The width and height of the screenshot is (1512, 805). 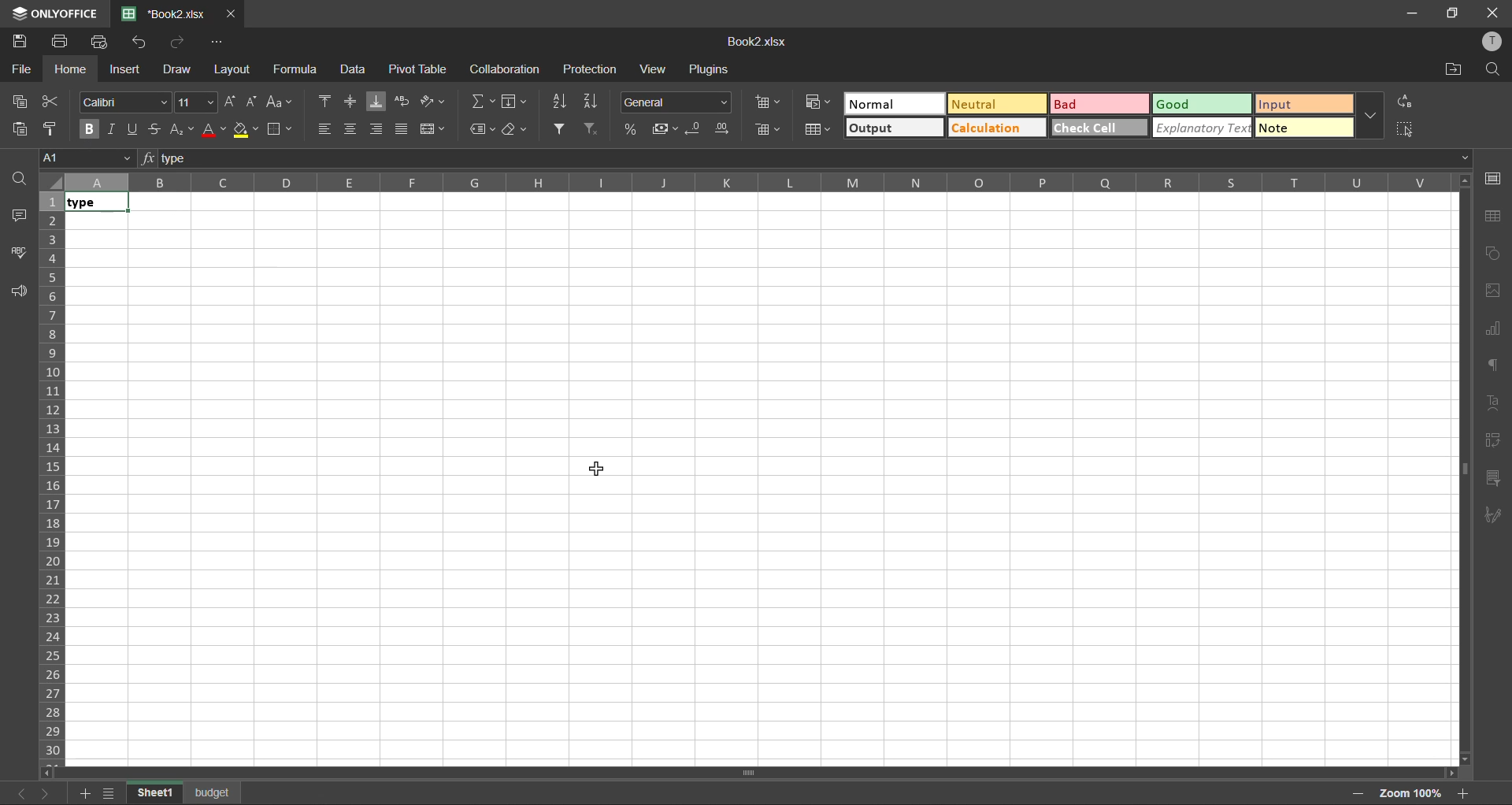 What do you see at coordinates (18, 290) in the screenshot?
I see `feedback` at bounding box center [18, 290].